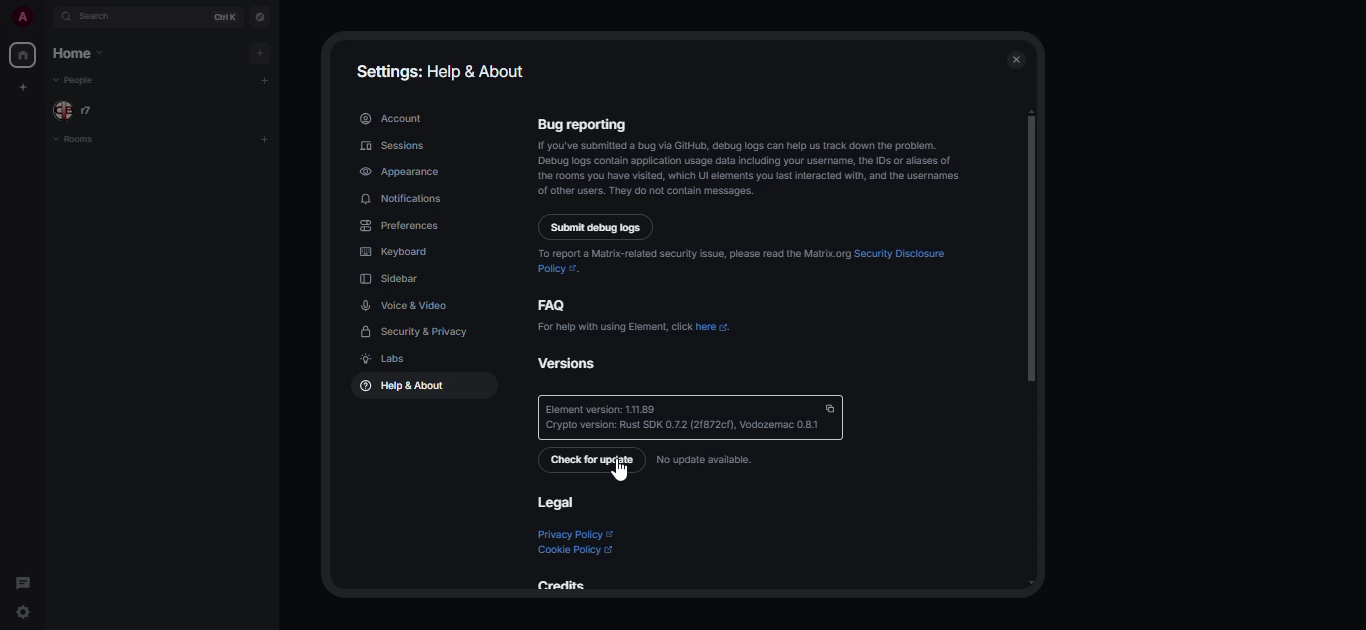 The width and height of the screenshot is (1366, 630). I want to click on help & about, so click(409, 385).